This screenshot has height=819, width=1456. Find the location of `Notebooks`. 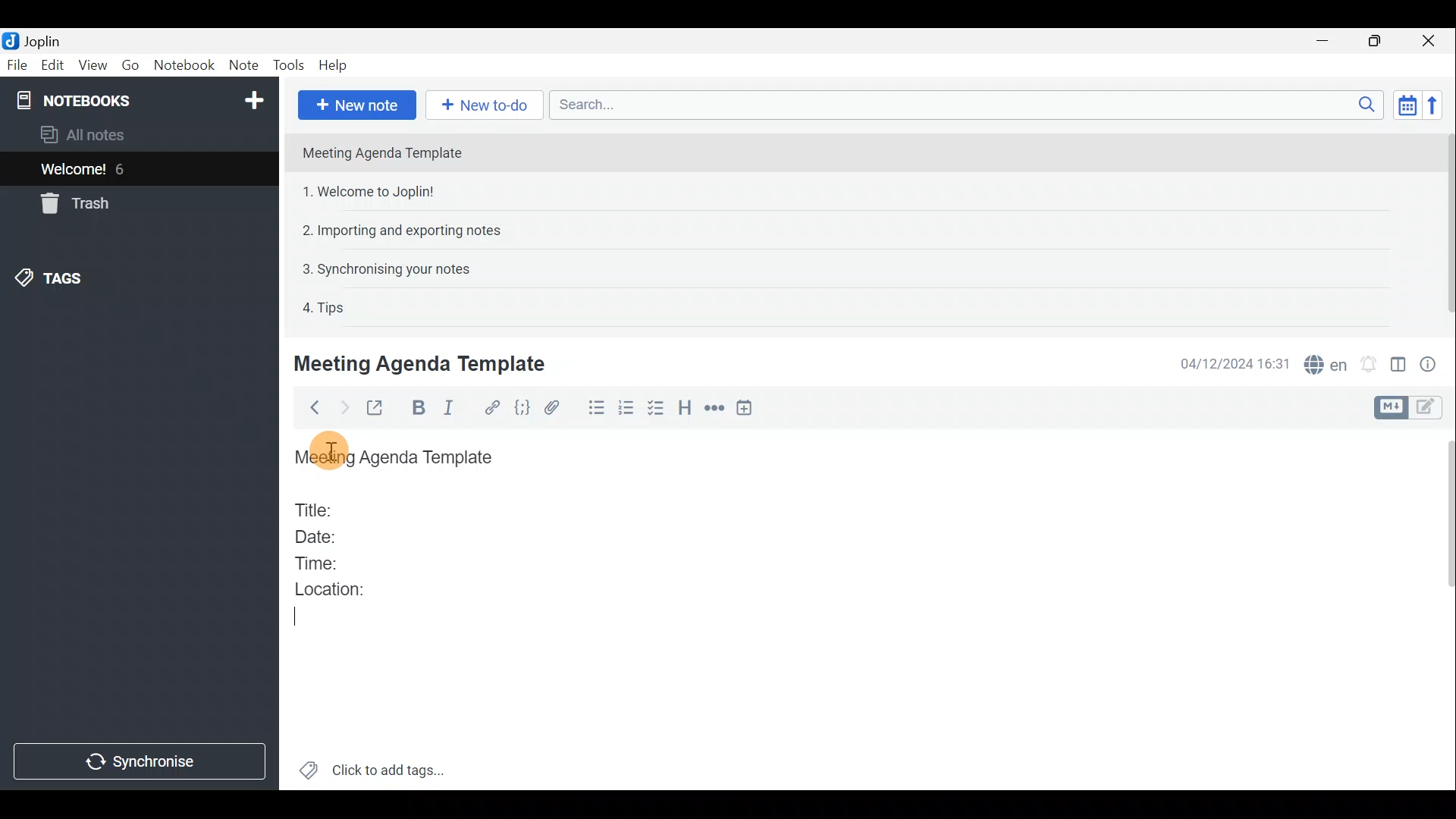

Notebooks is located at coordinates (142, 99).